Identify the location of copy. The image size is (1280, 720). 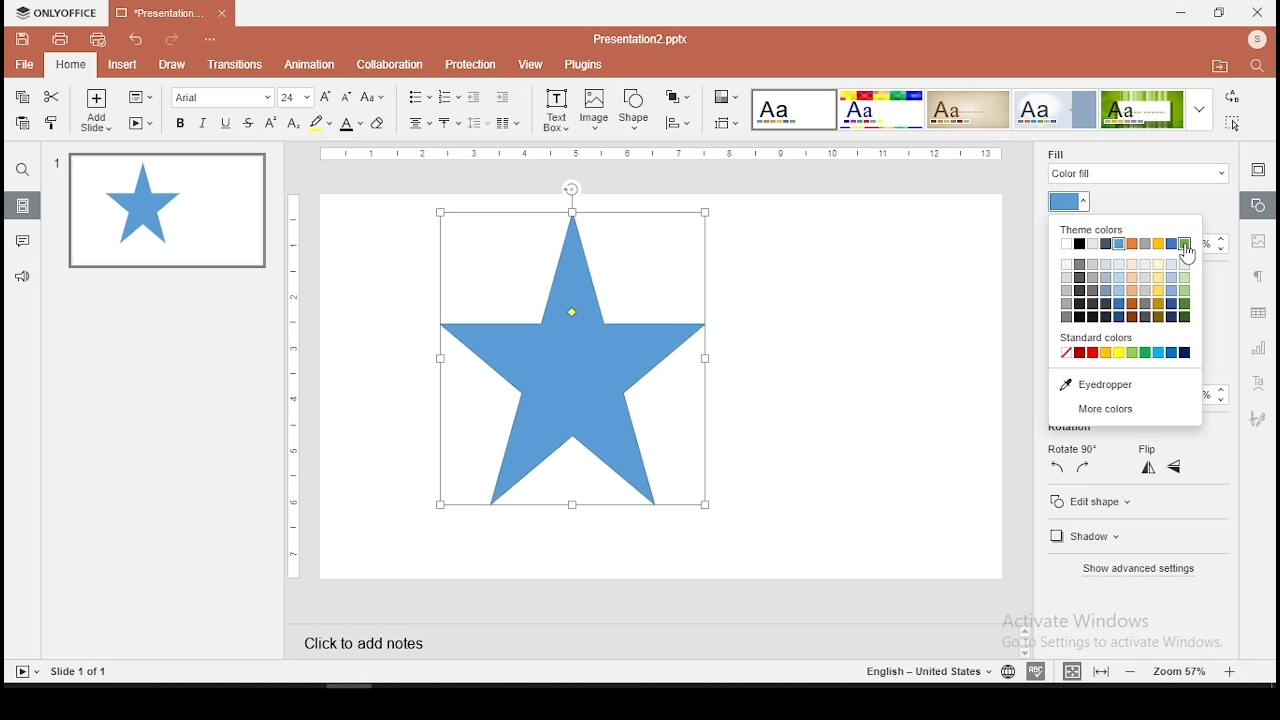
(21, 98).